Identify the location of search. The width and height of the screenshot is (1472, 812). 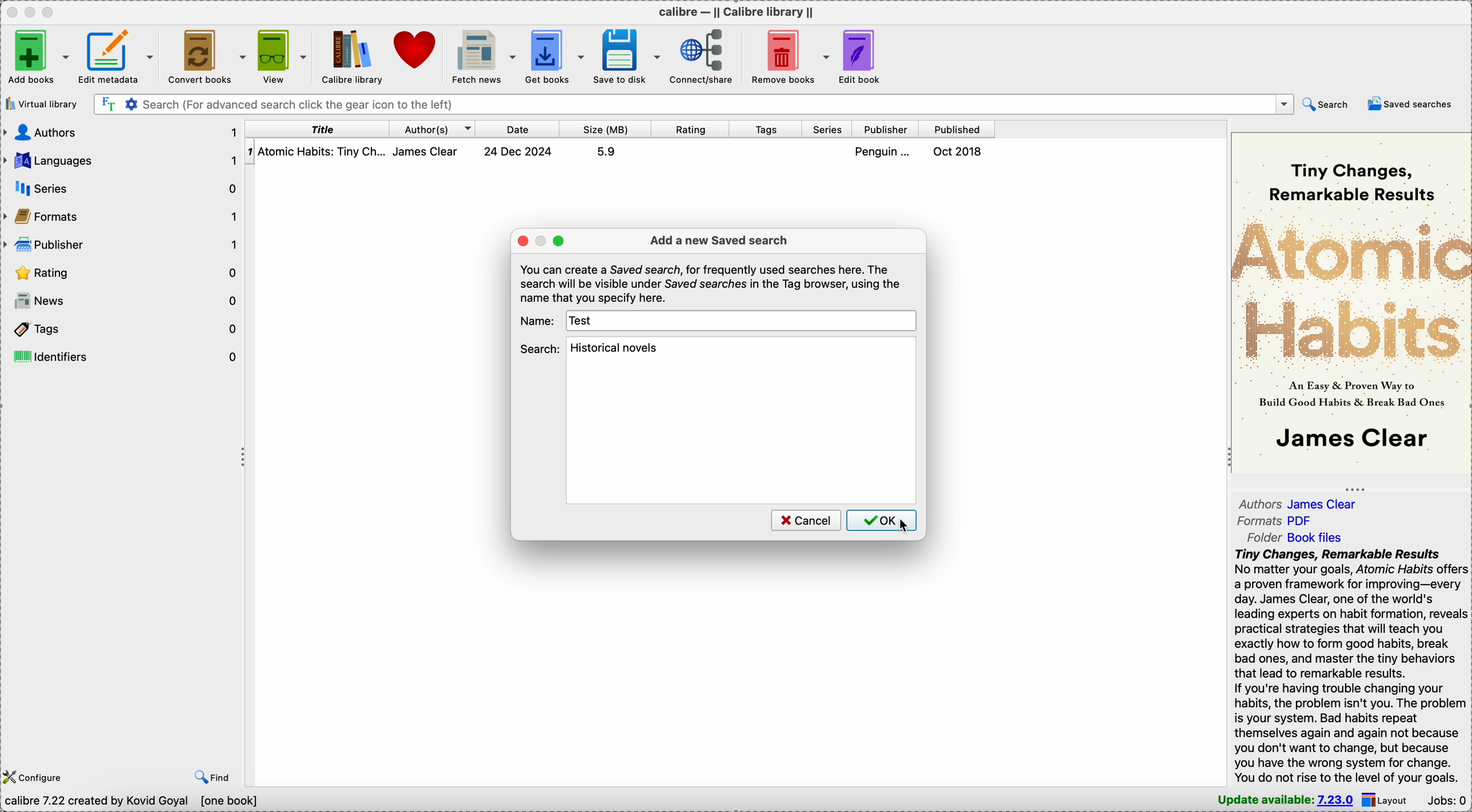
(1325, 103).